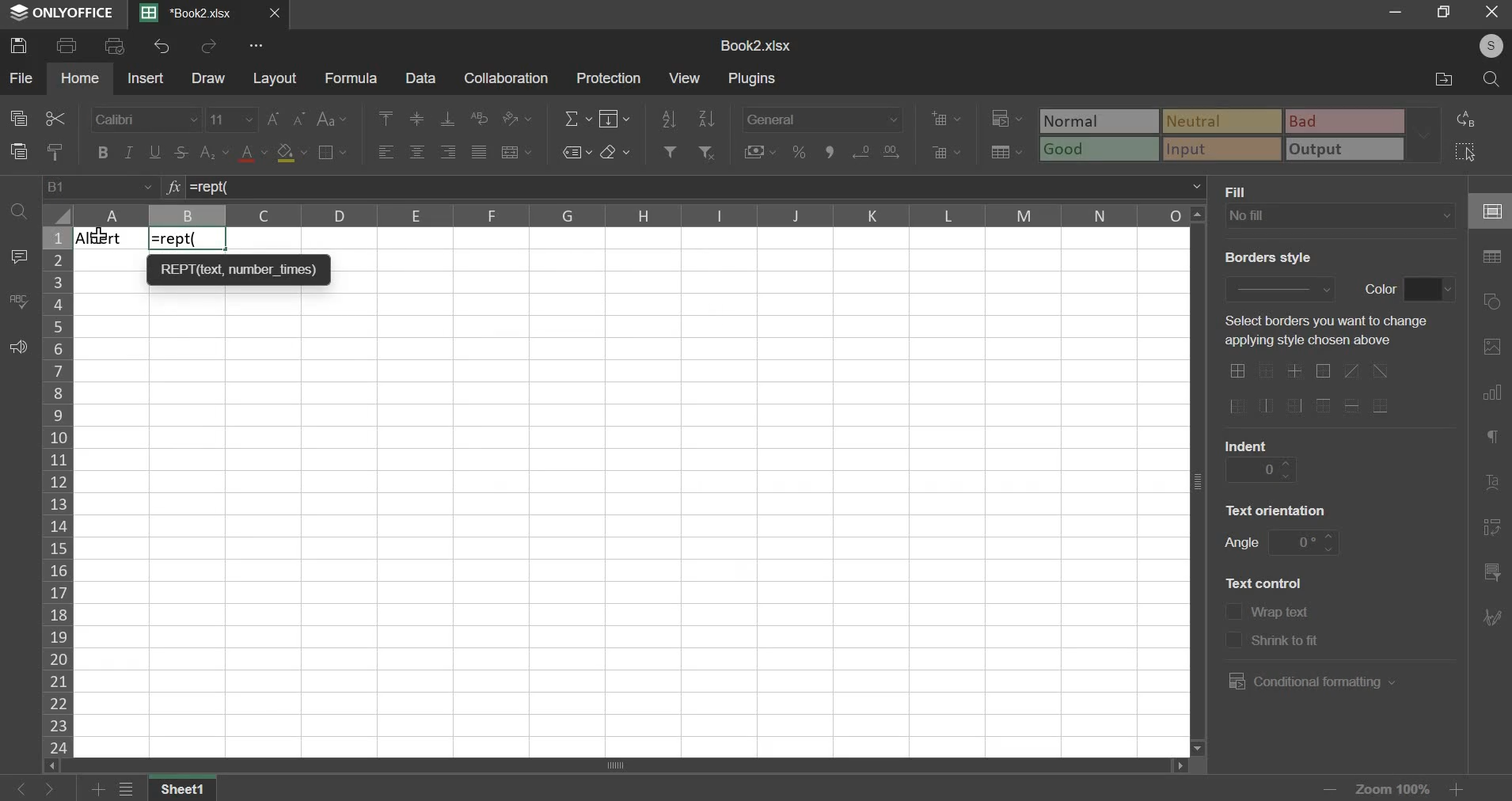 This screenshot has width=1512, height=801. I want to click on indent, so click(1257, 469).